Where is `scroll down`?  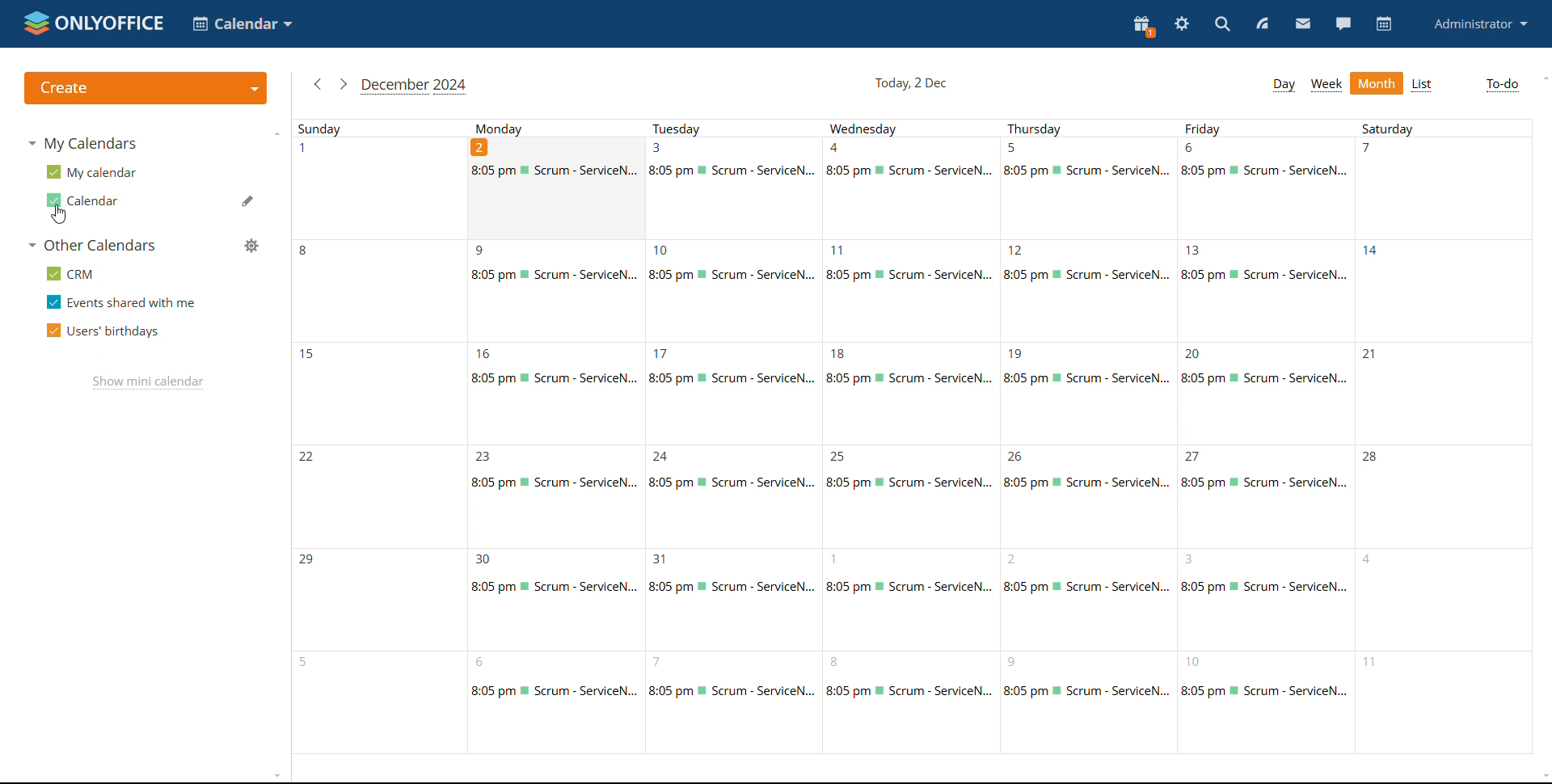 scroll down is located at coordinates (1542, 777).